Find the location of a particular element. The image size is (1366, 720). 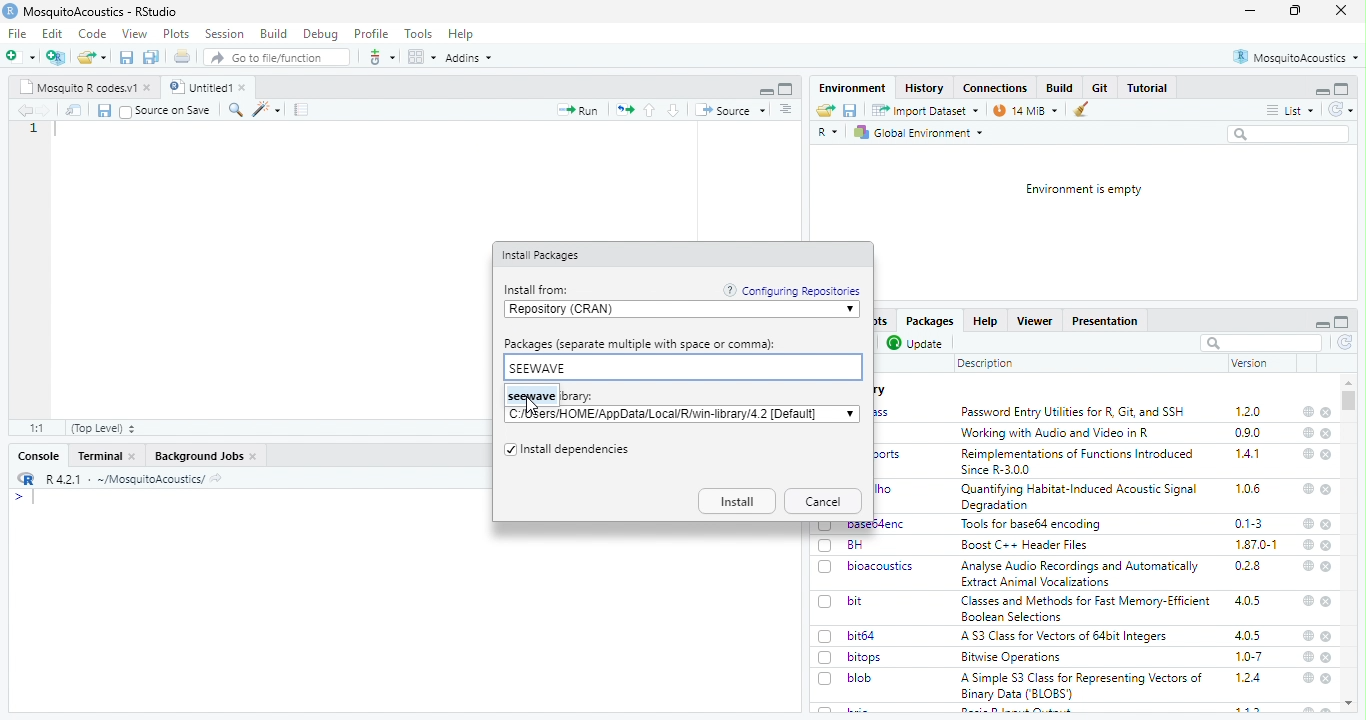

cursor is located at coordinates (532, 406).